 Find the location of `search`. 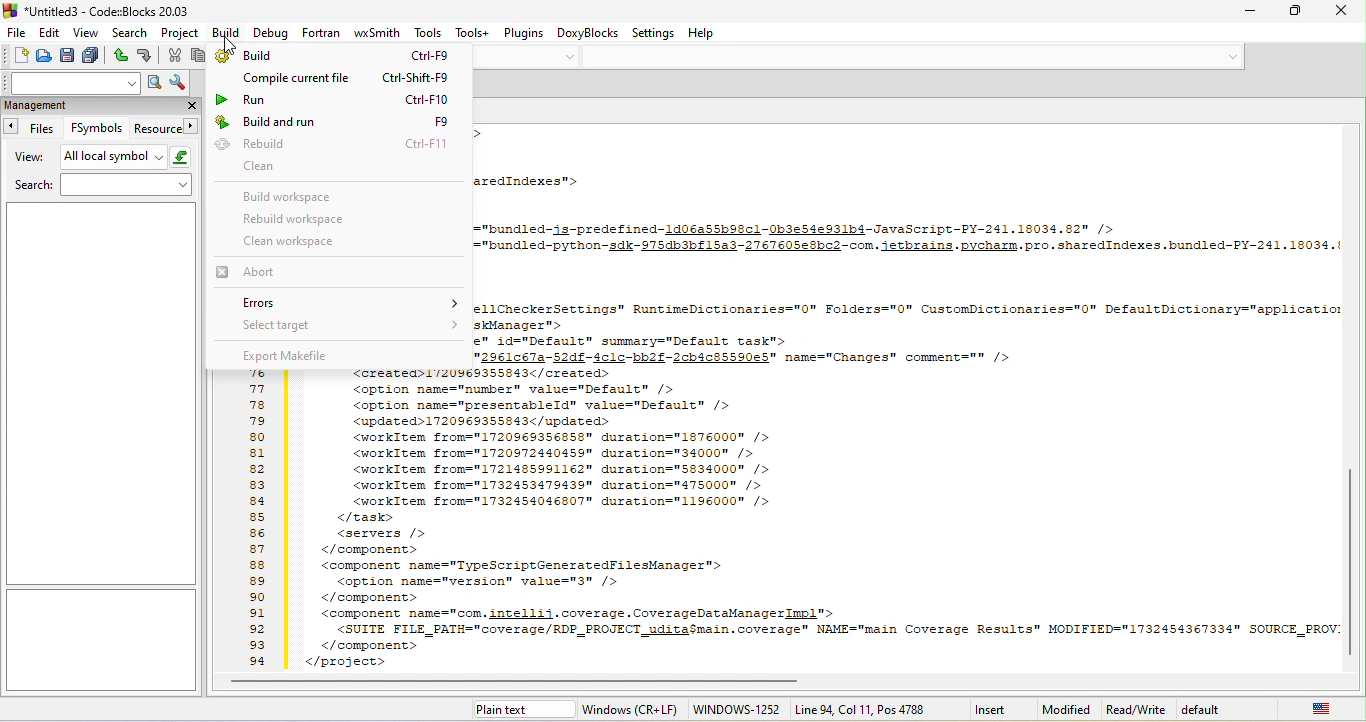

search is located at coordinates (103, 186).